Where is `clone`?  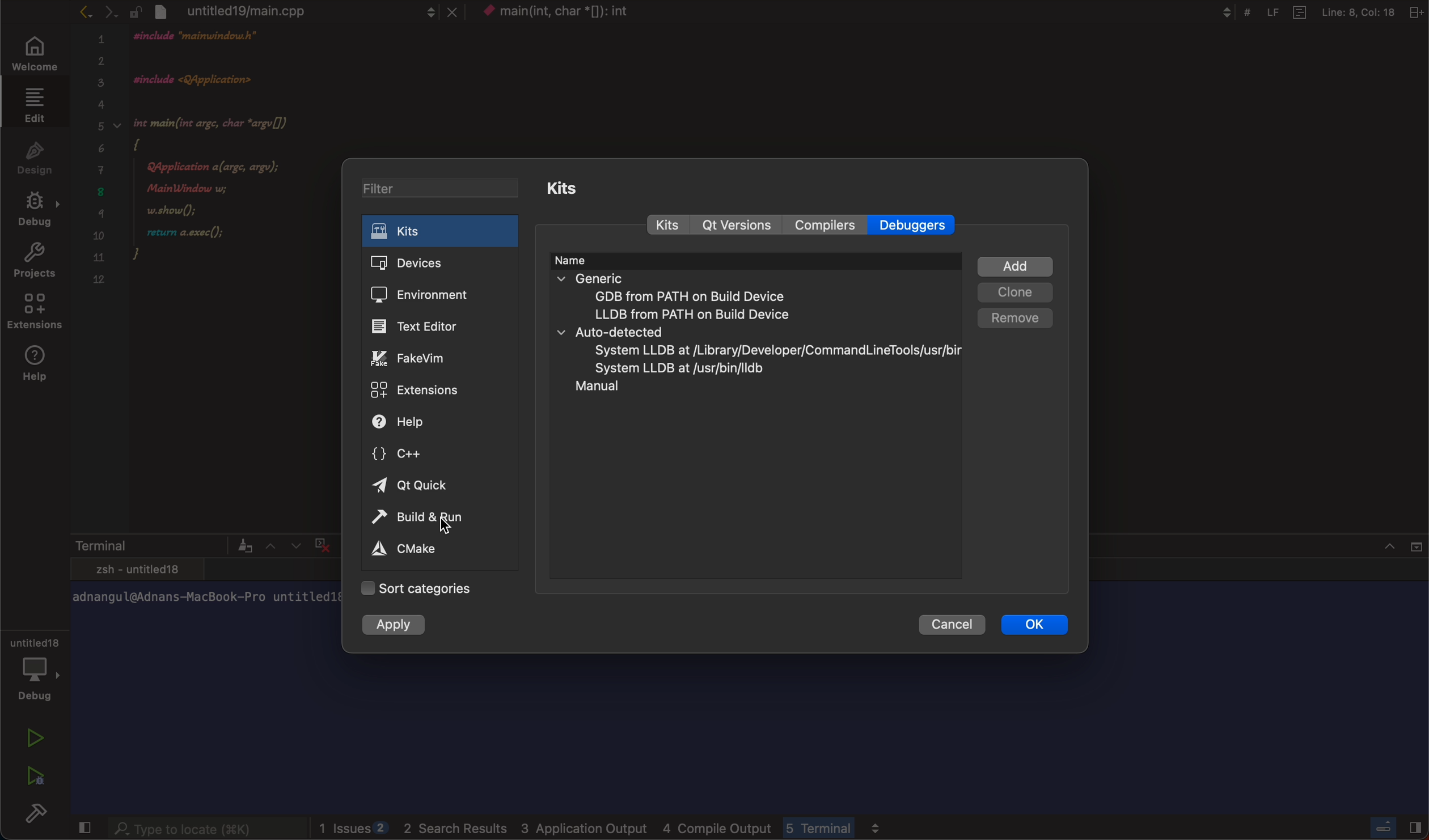 clone is located at coordinates (1017, 291).